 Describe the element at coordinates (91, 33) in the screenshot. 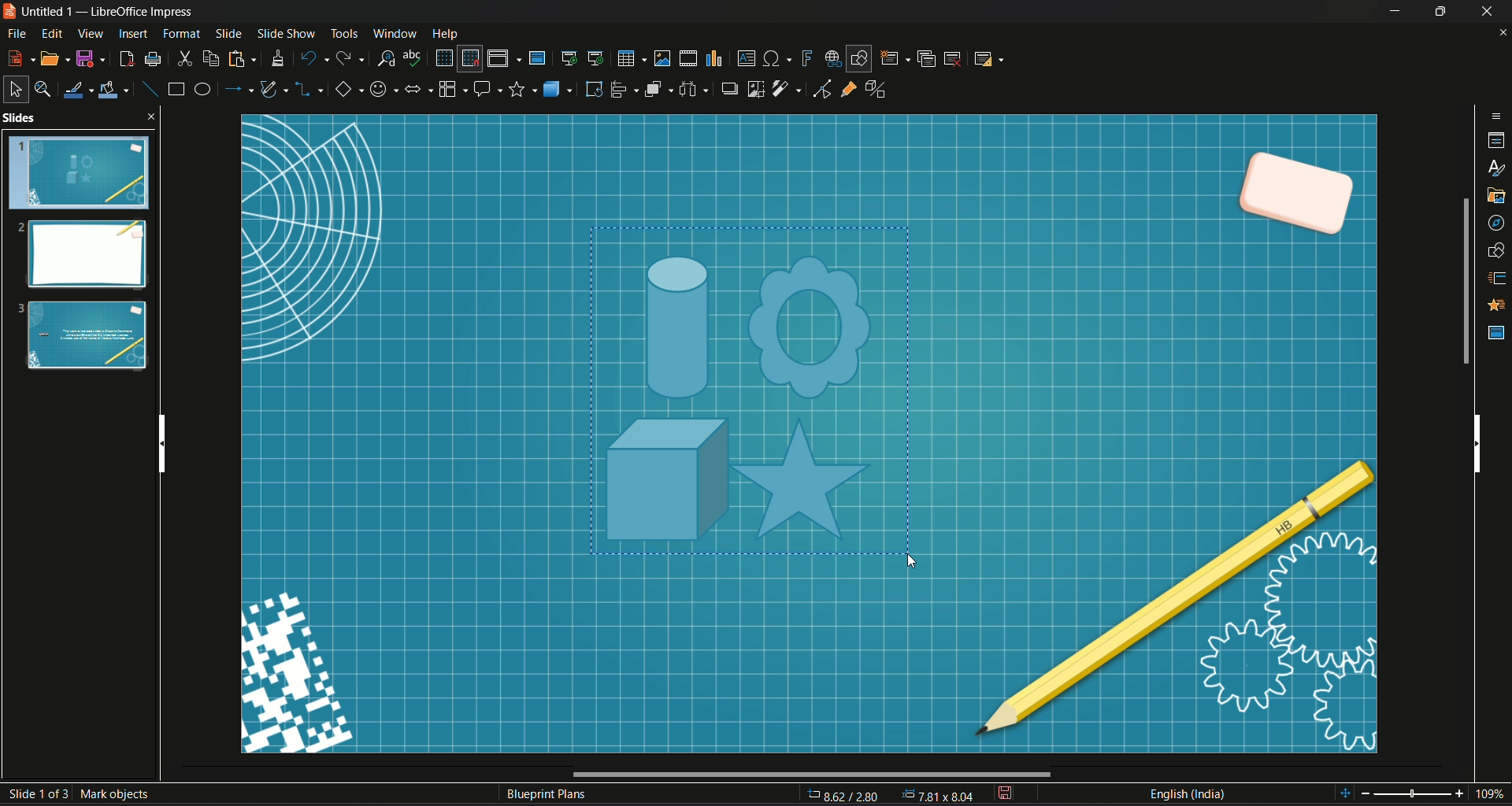

I see `View` at that location.